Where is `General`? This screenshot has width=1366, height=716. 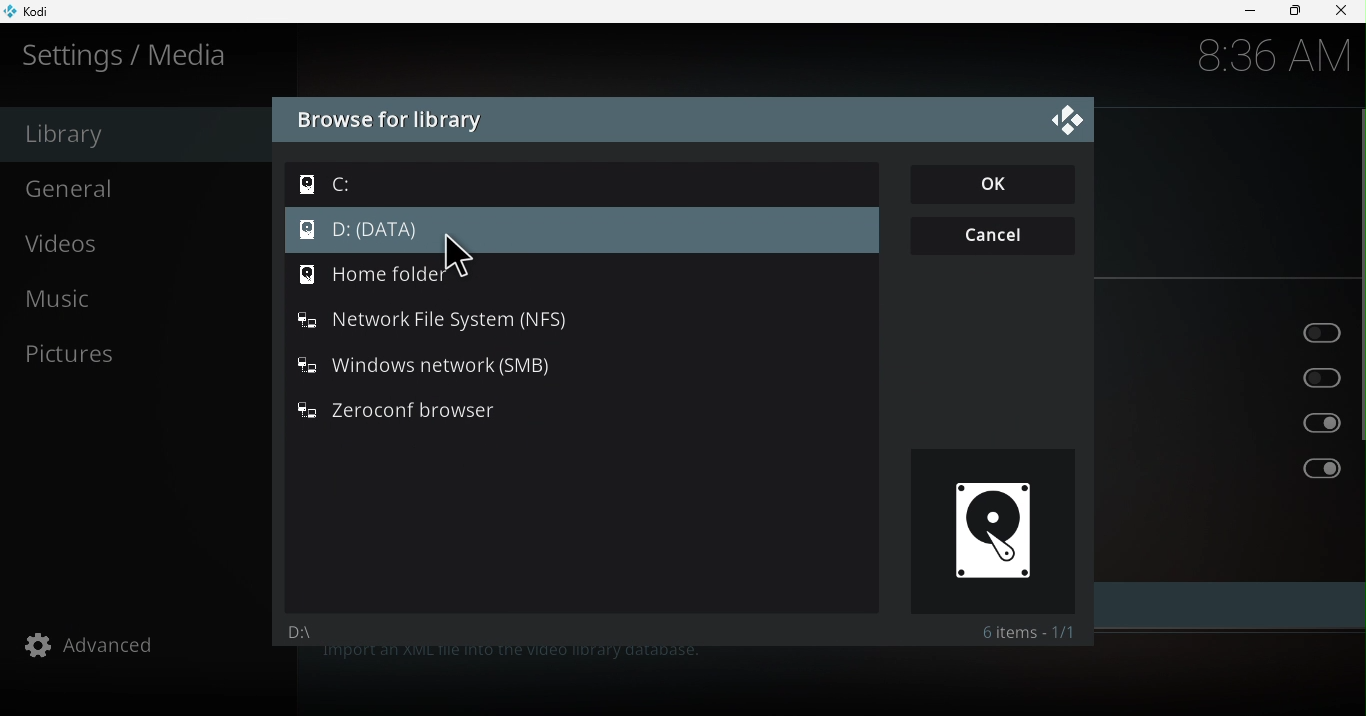
General is located at coordinates (143, 187).